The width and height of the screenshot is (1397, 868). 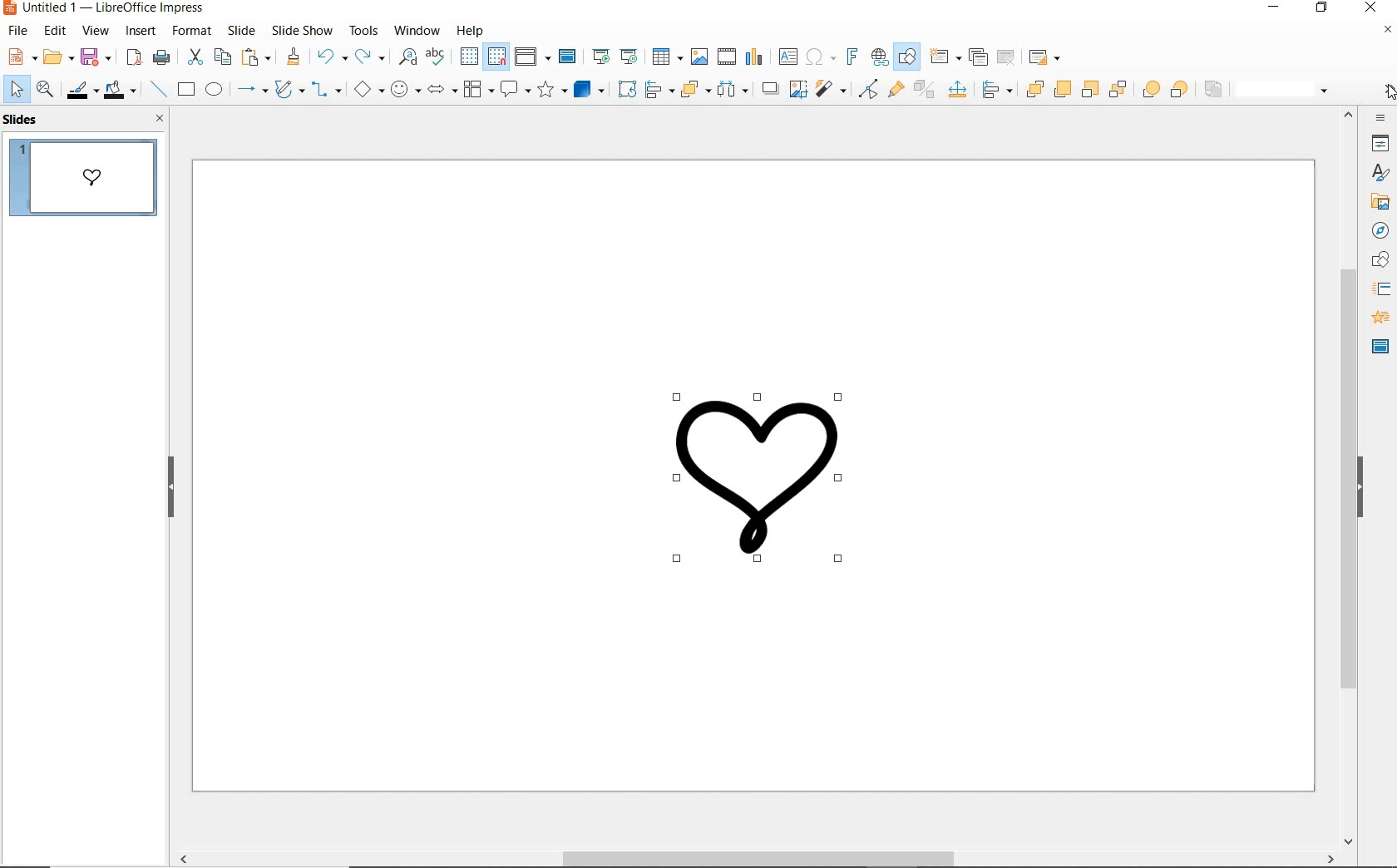 I want to click on flowchart, so click(x=478, y=90).